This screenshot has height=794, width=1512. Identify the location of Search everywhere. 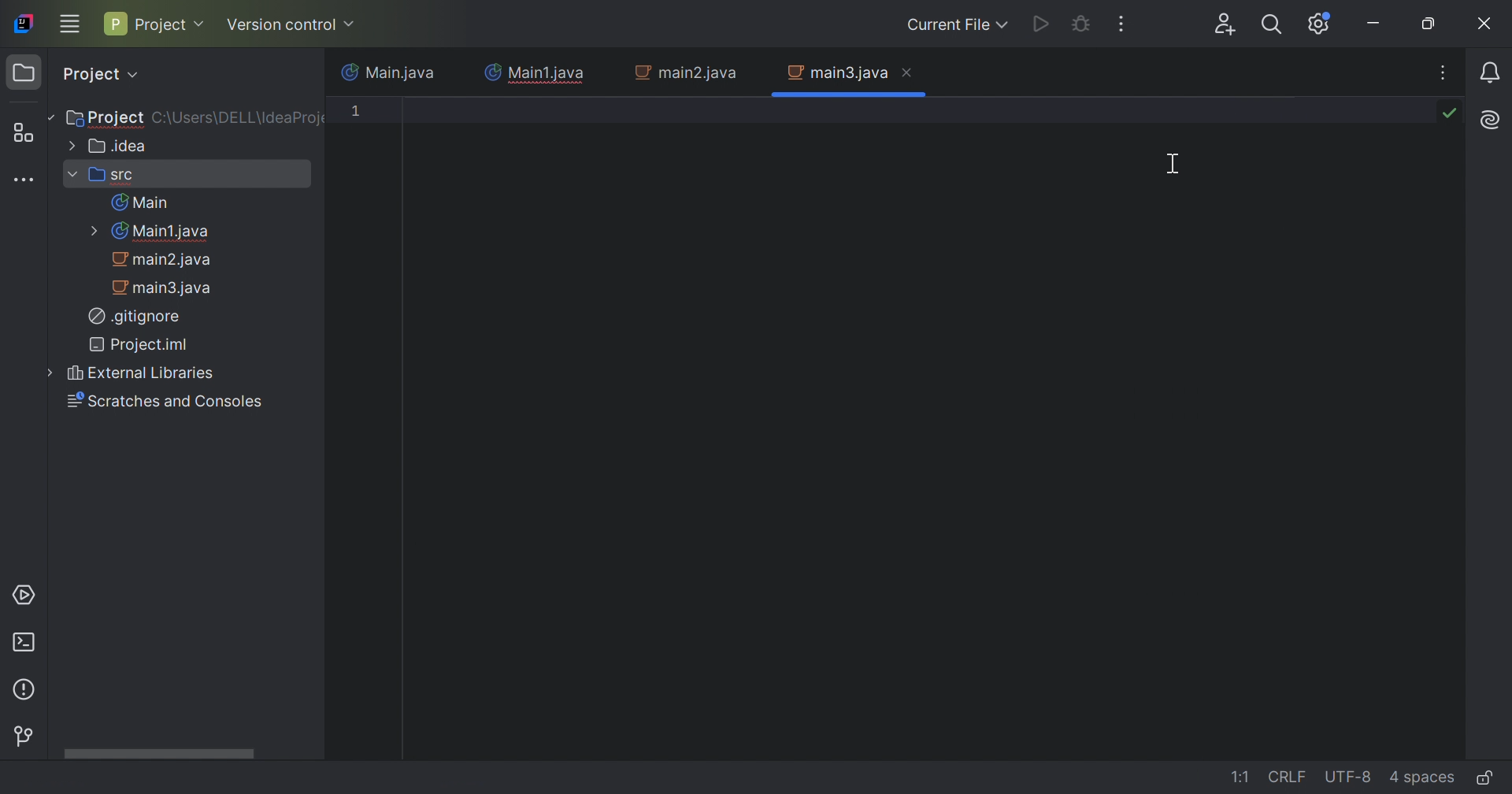
(1272, 25).